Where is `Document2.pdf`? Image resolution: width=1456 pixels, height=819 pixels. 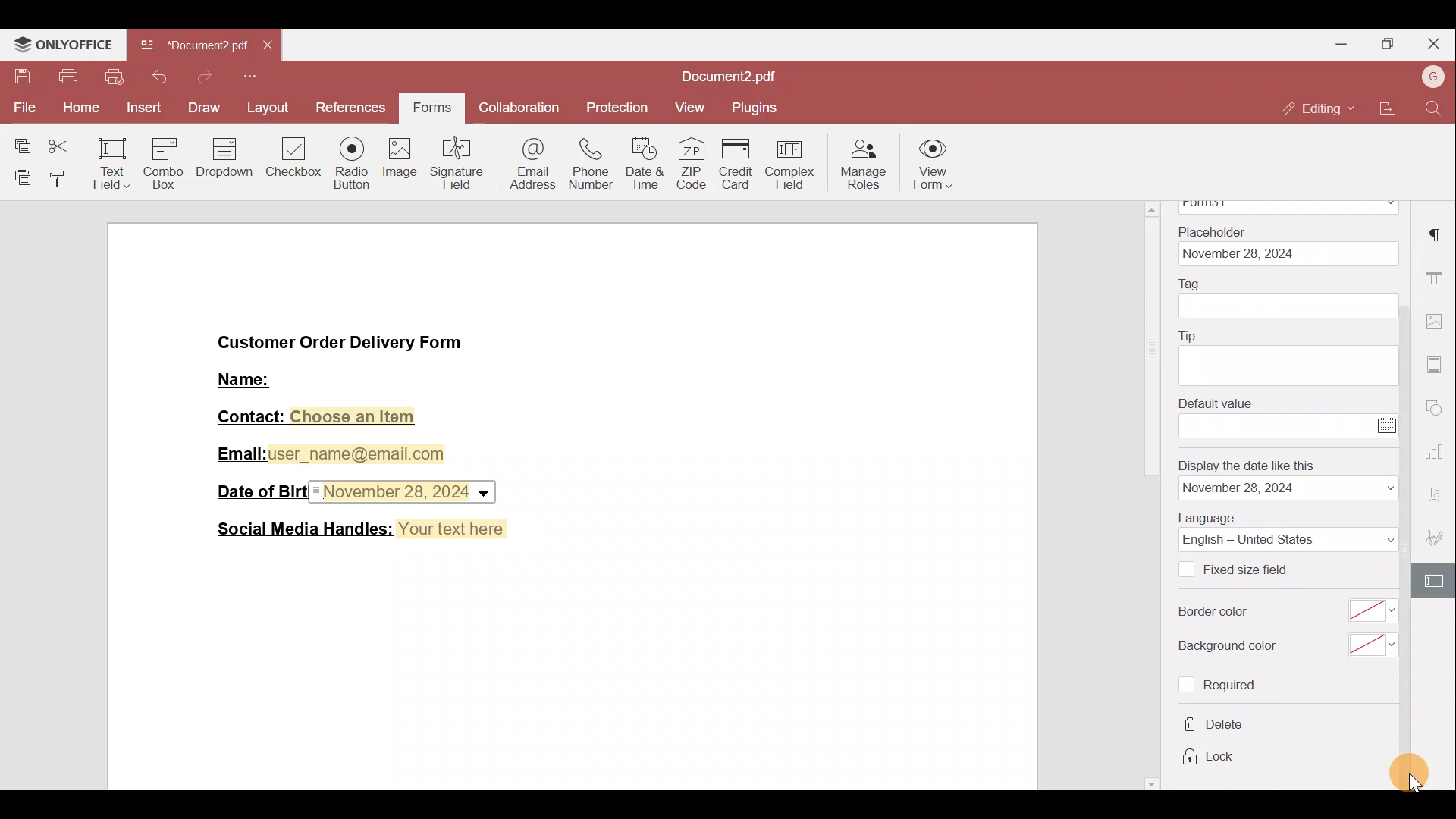 Document2.pdf is located at coordinates (193, 45).